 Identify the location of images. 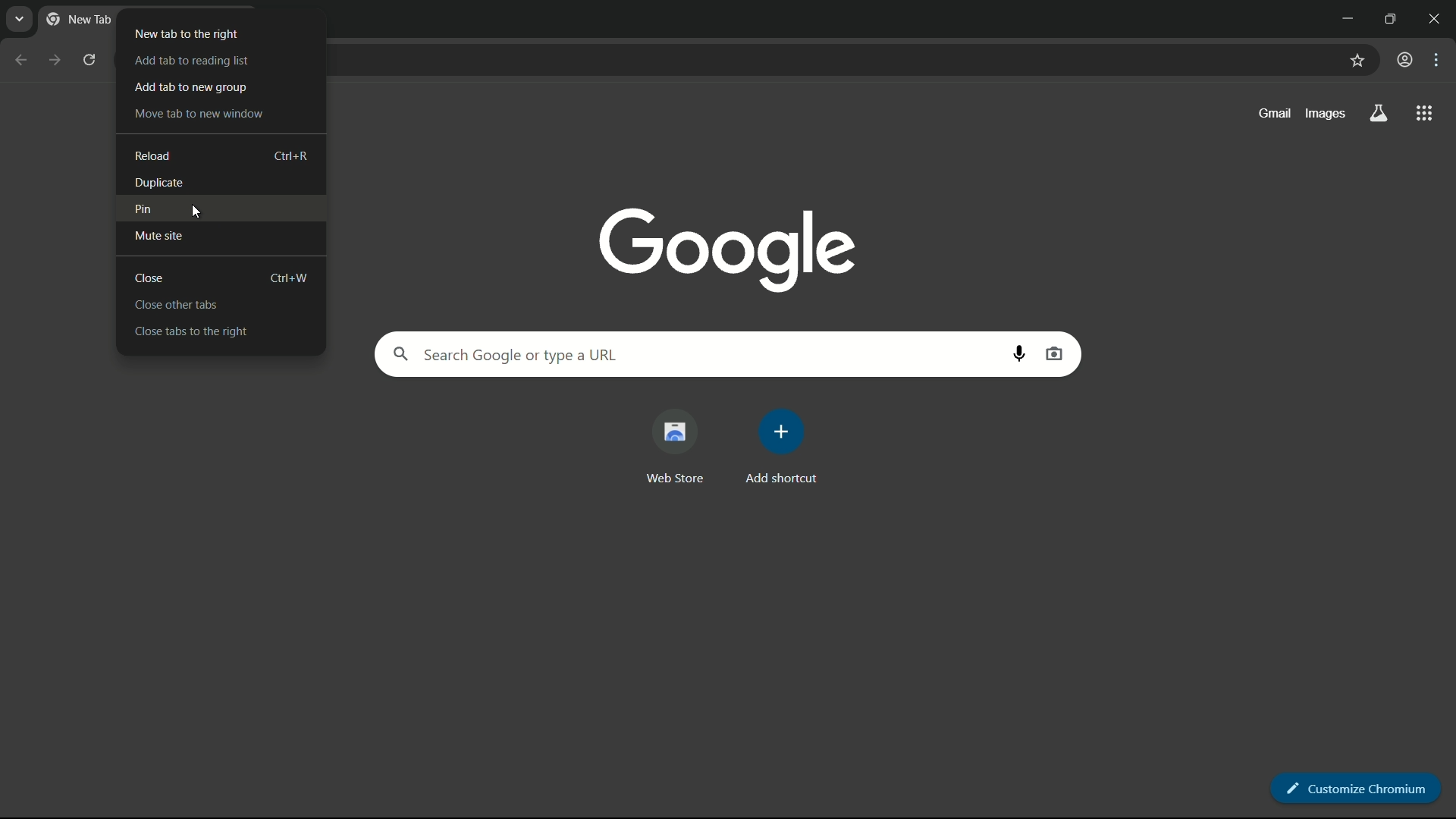
(1323, 114).